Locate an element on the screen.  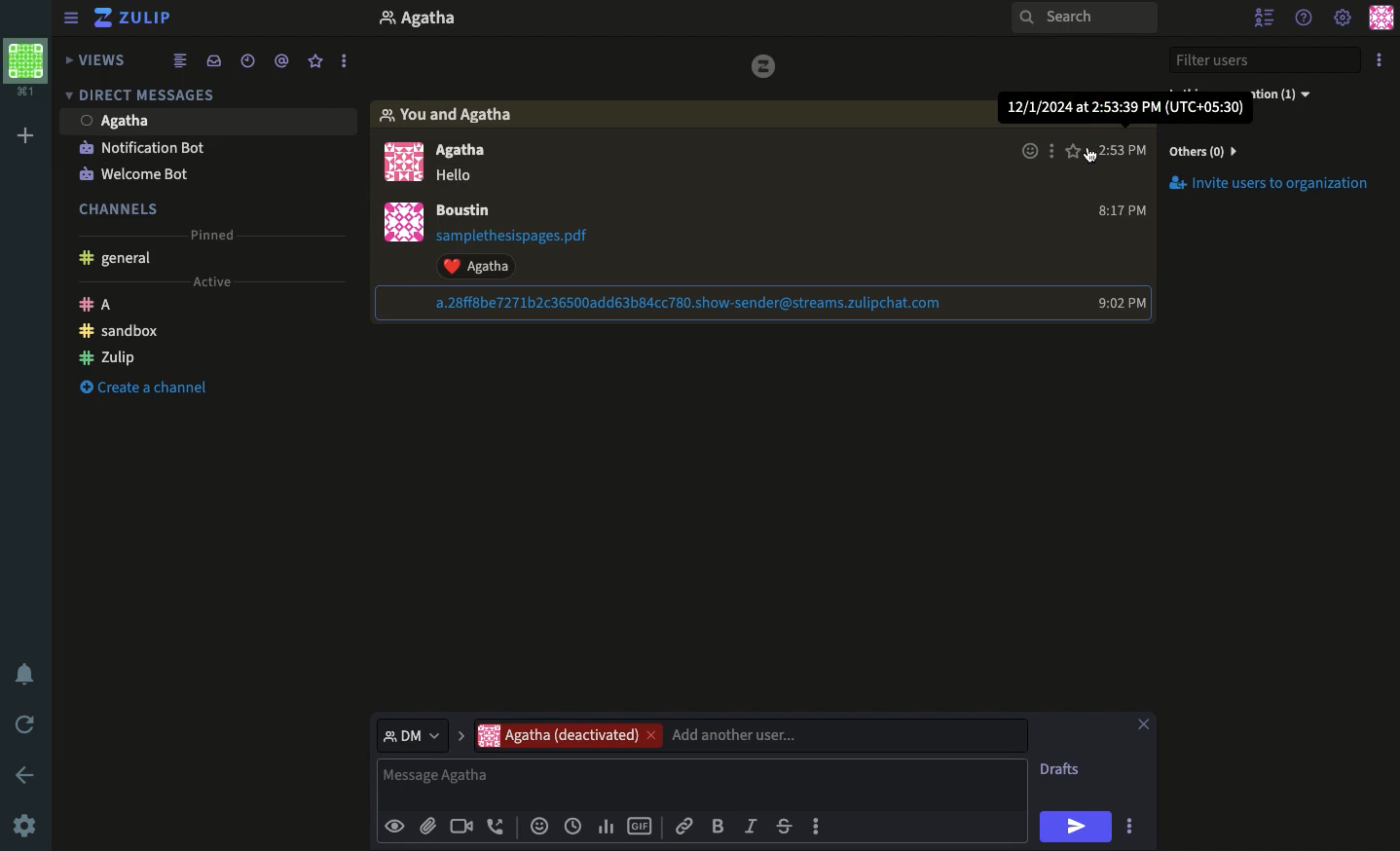
options is located at coordinates (1131, 828).